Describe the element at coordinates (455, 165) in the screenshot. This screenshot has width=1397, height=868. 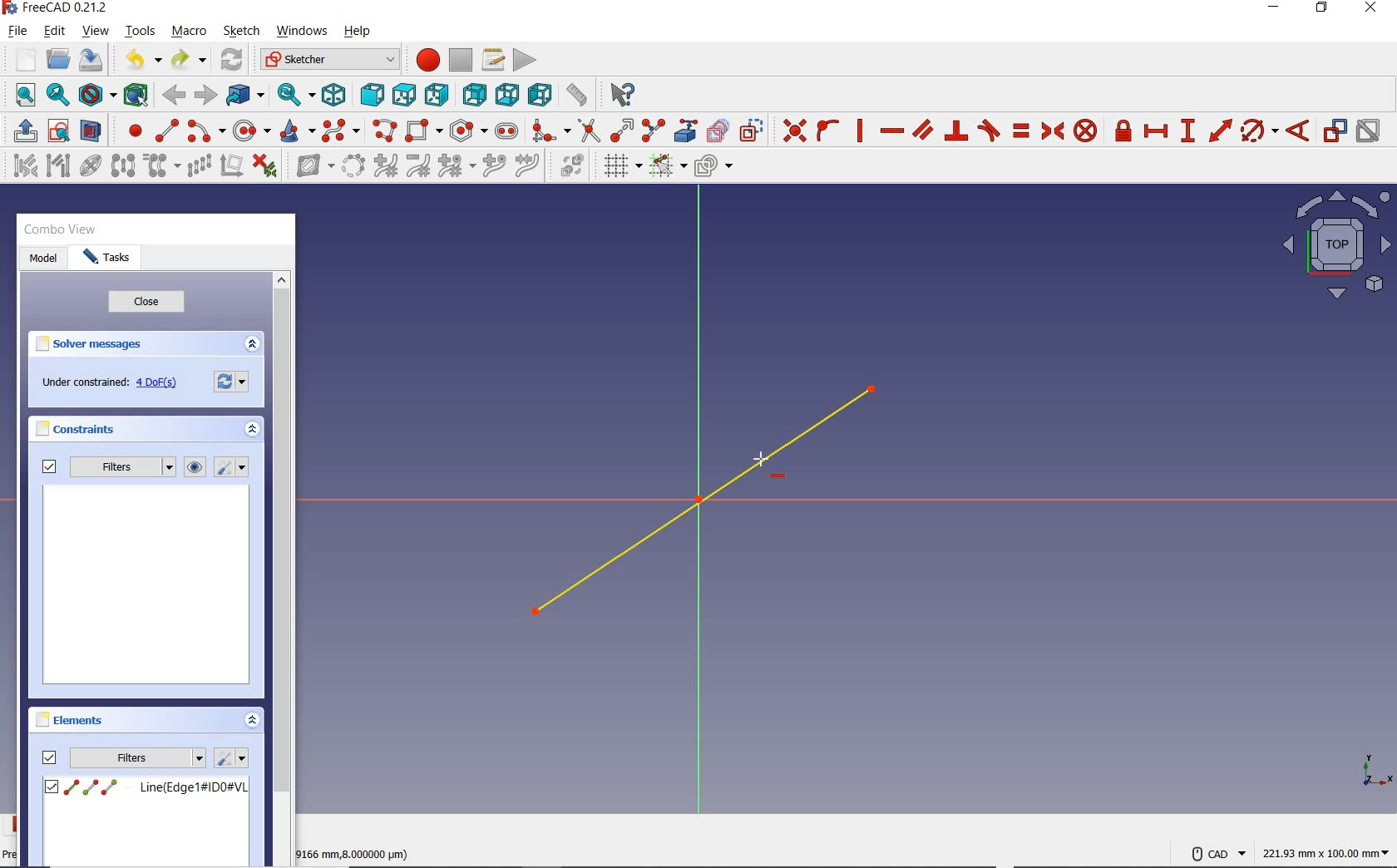
I see `MODIFY KNOT MULTIPLICITY` at that location.